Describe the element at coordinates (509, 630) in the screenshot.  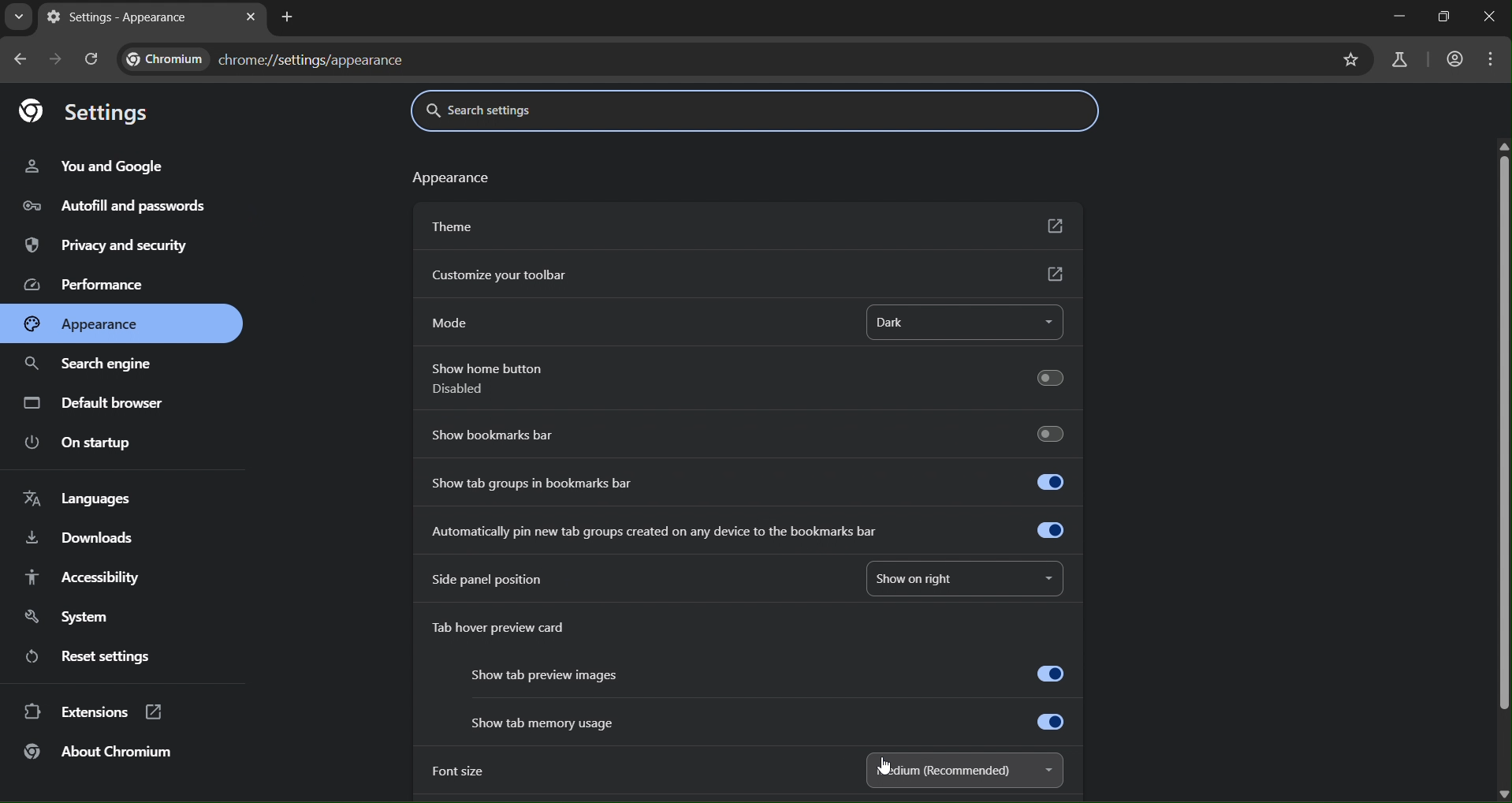
I see `tab hover preview card` at that location.